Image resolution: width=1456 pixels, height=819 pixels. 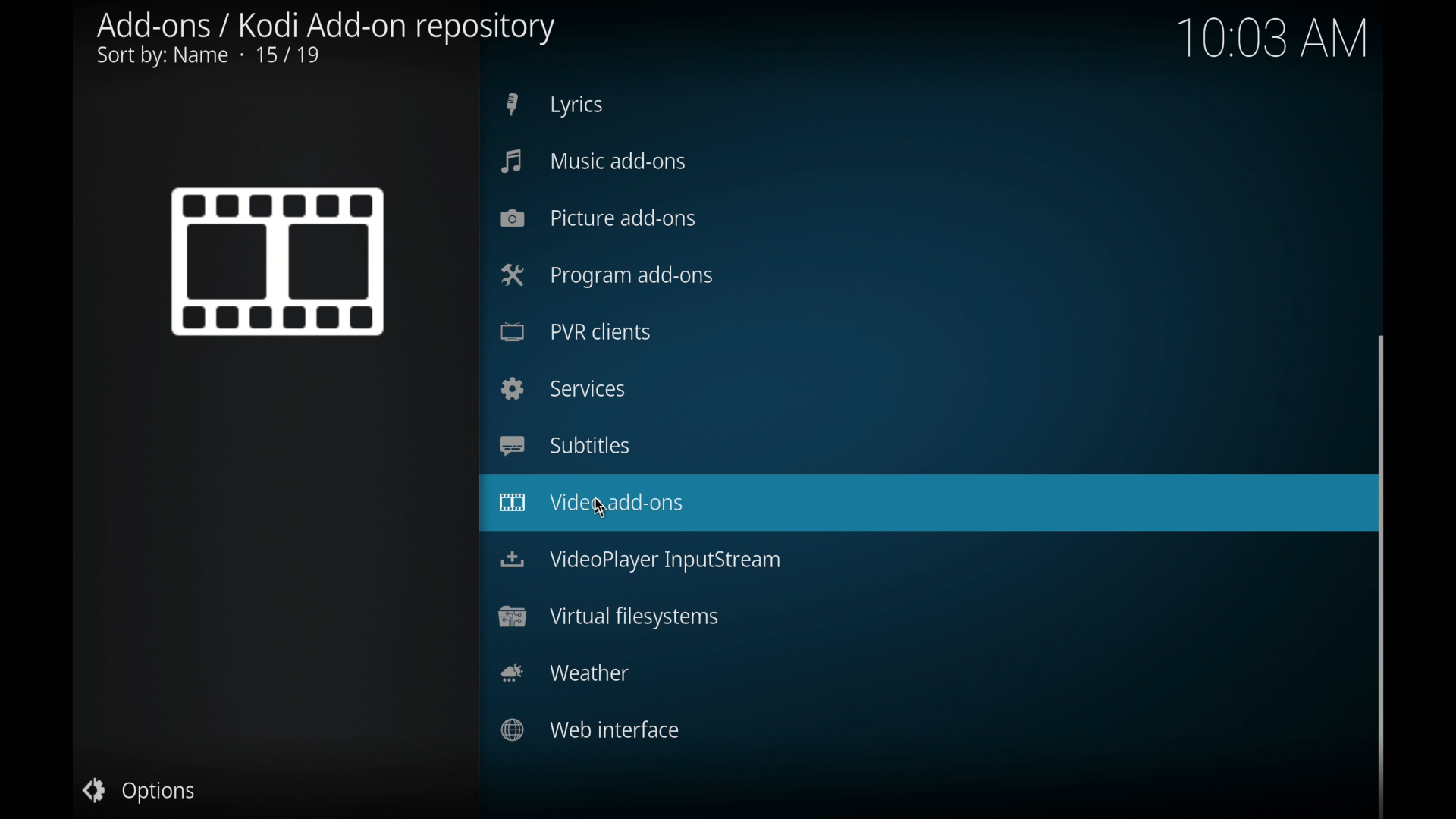 I want to click on services, so click(x=563, y=388).